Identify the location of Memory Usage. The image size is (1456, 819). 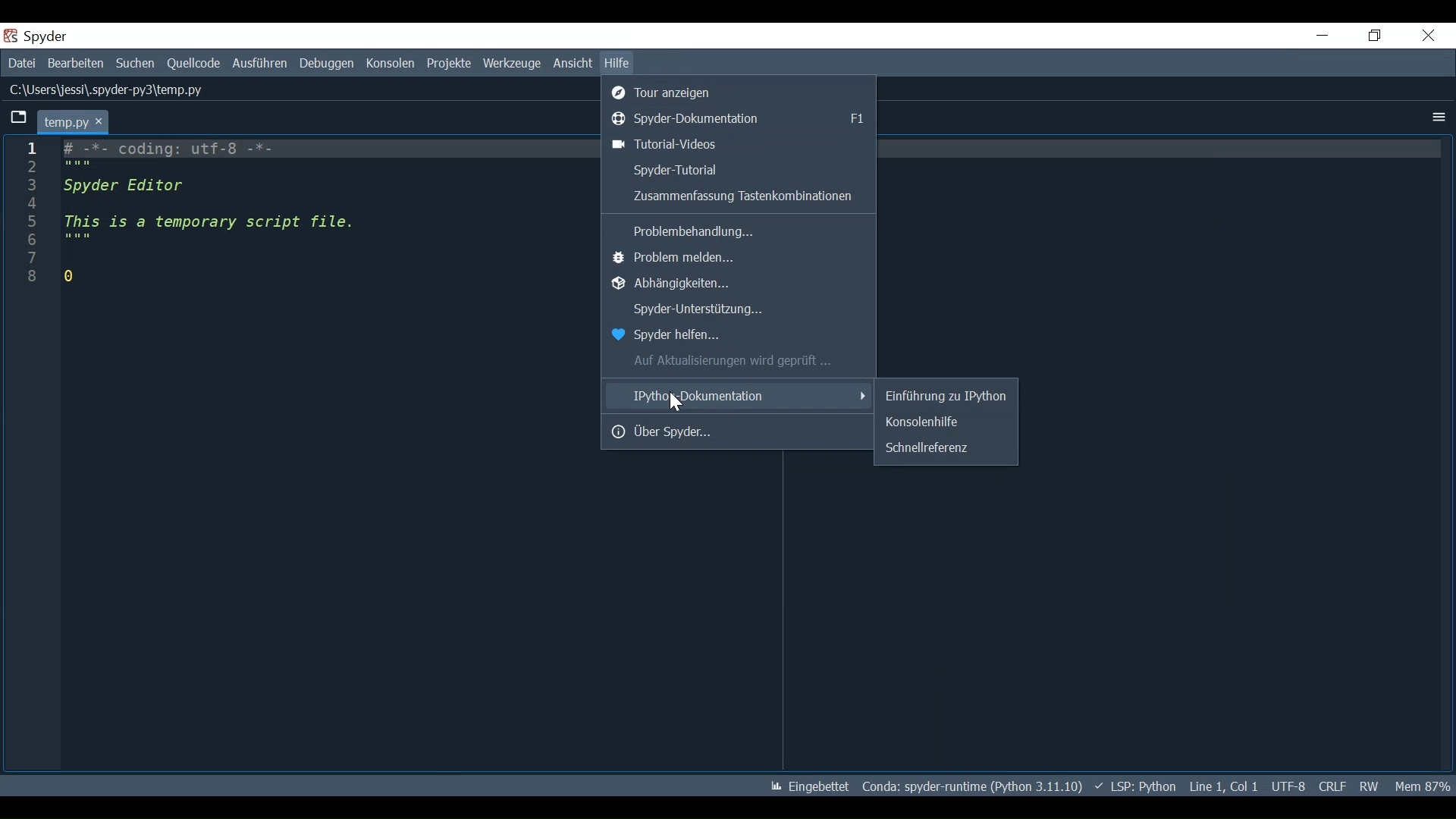
(1421, 786).